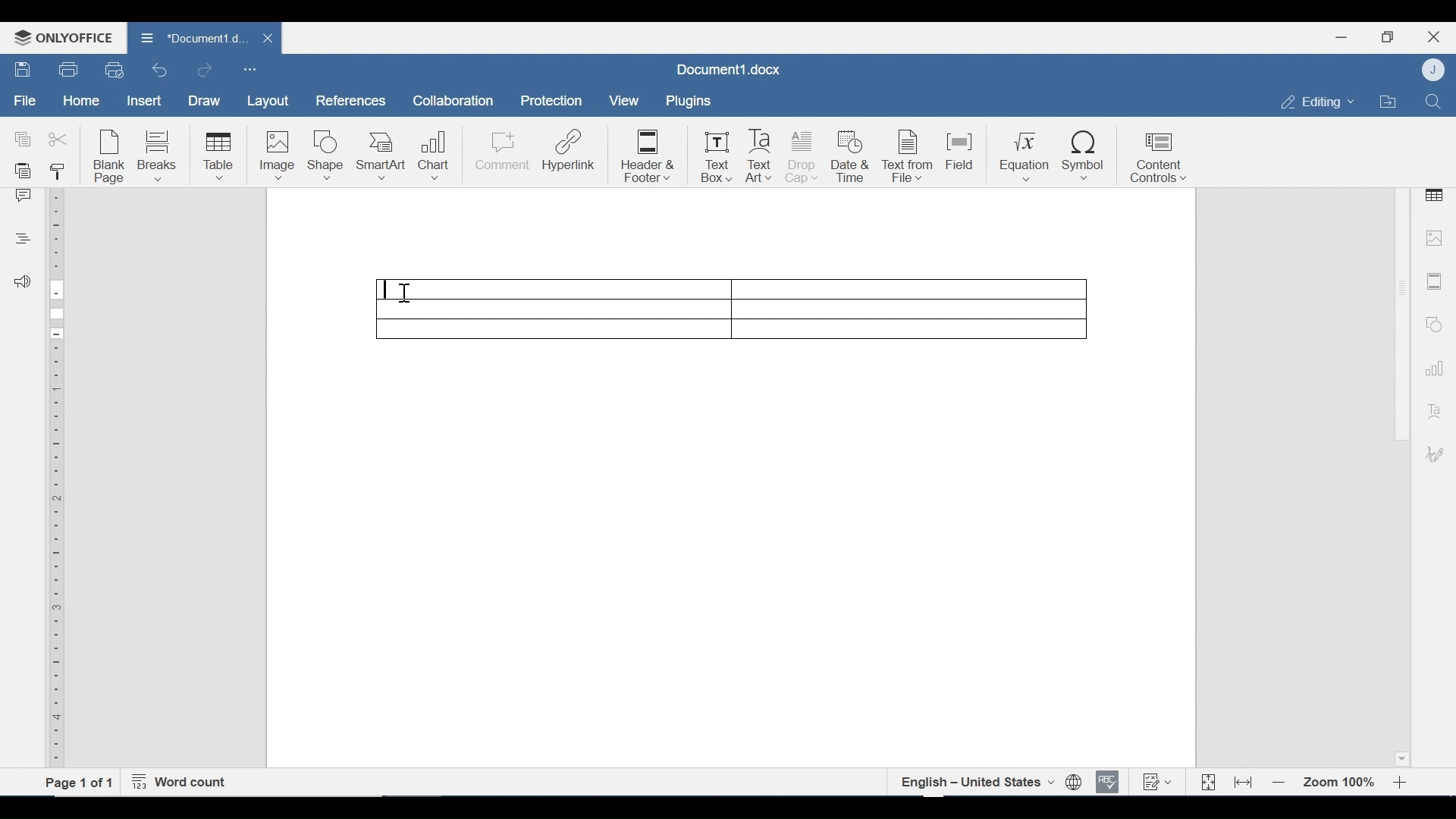 Image resolution: width=1456 pixels, height=819 pixels. I want to click on Signature, so click(1432, 456).